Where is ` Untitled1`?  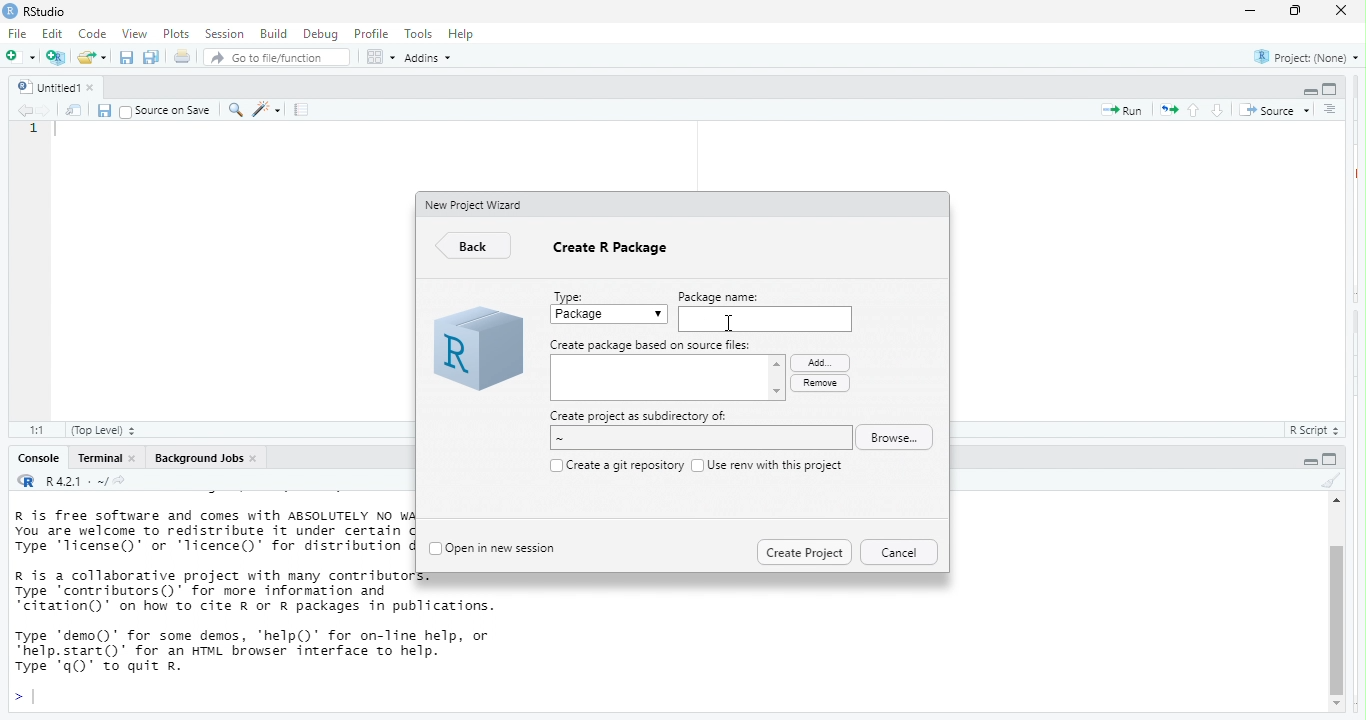
 Untitled1 is located at coordinates (45, 85).